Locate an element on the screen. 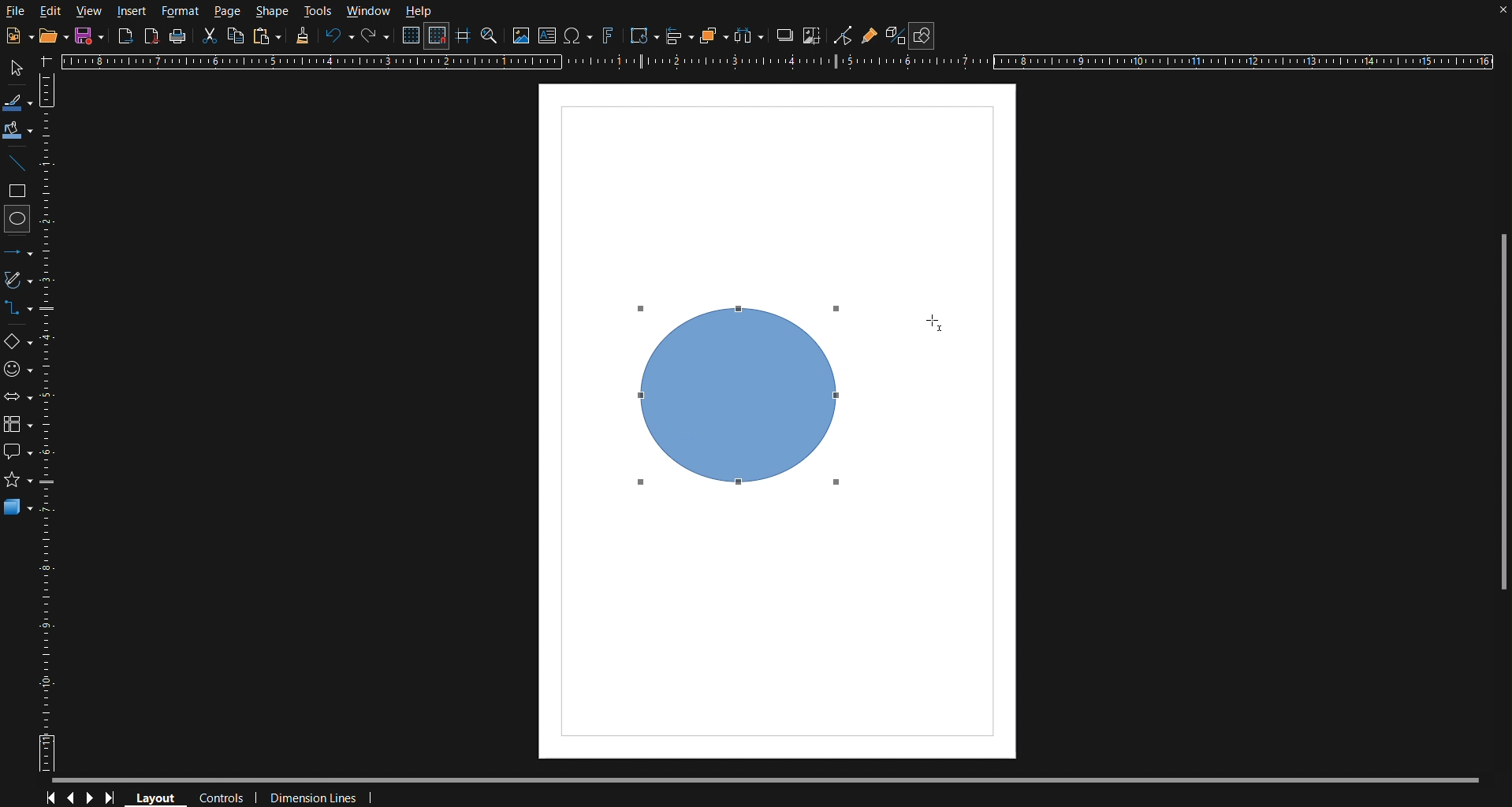  Connectors is located at coordinates (20, 308).